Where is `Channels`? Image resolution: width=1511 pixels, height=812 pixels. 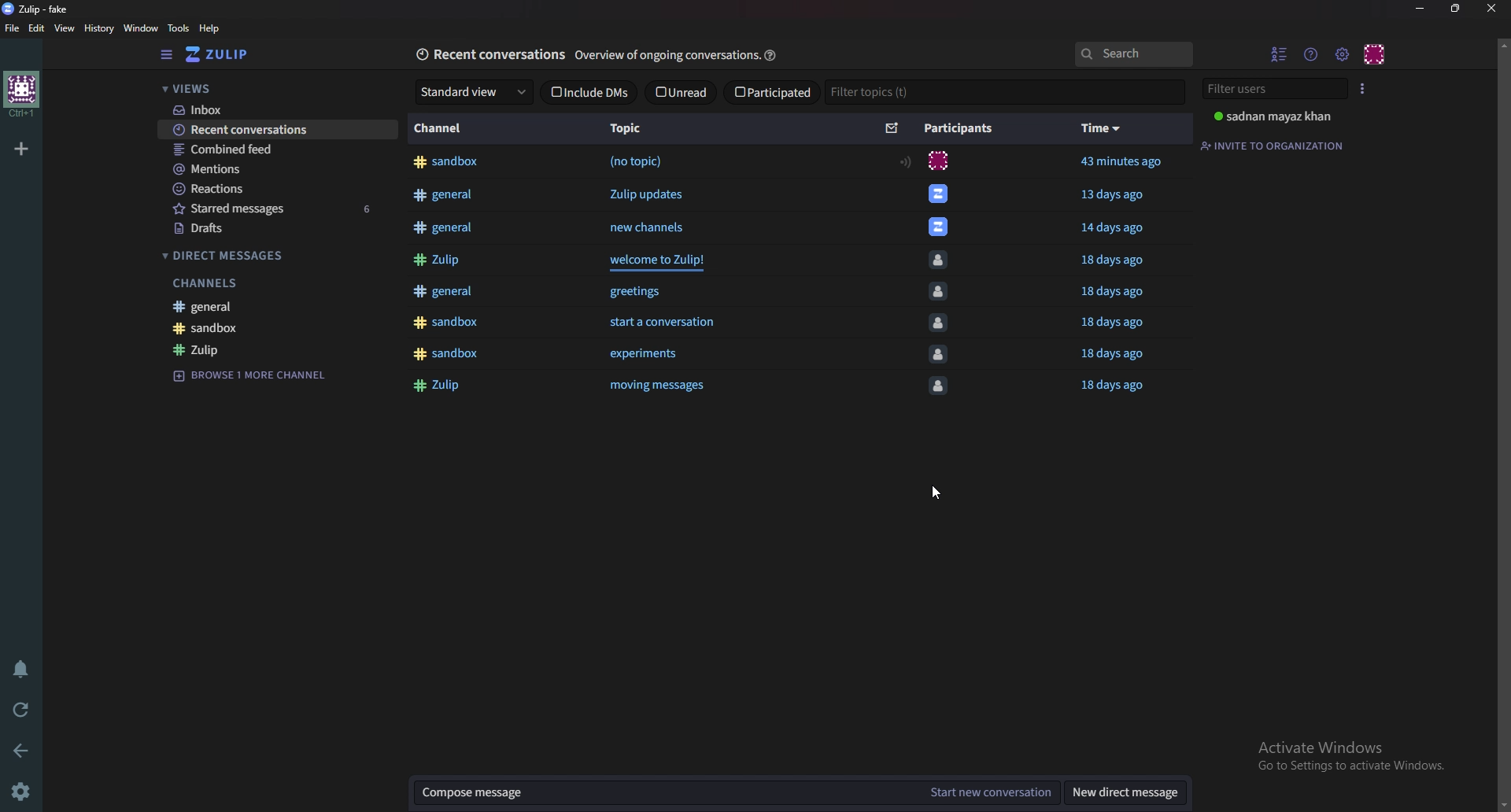 Channels is located at coordinates (279, 304).